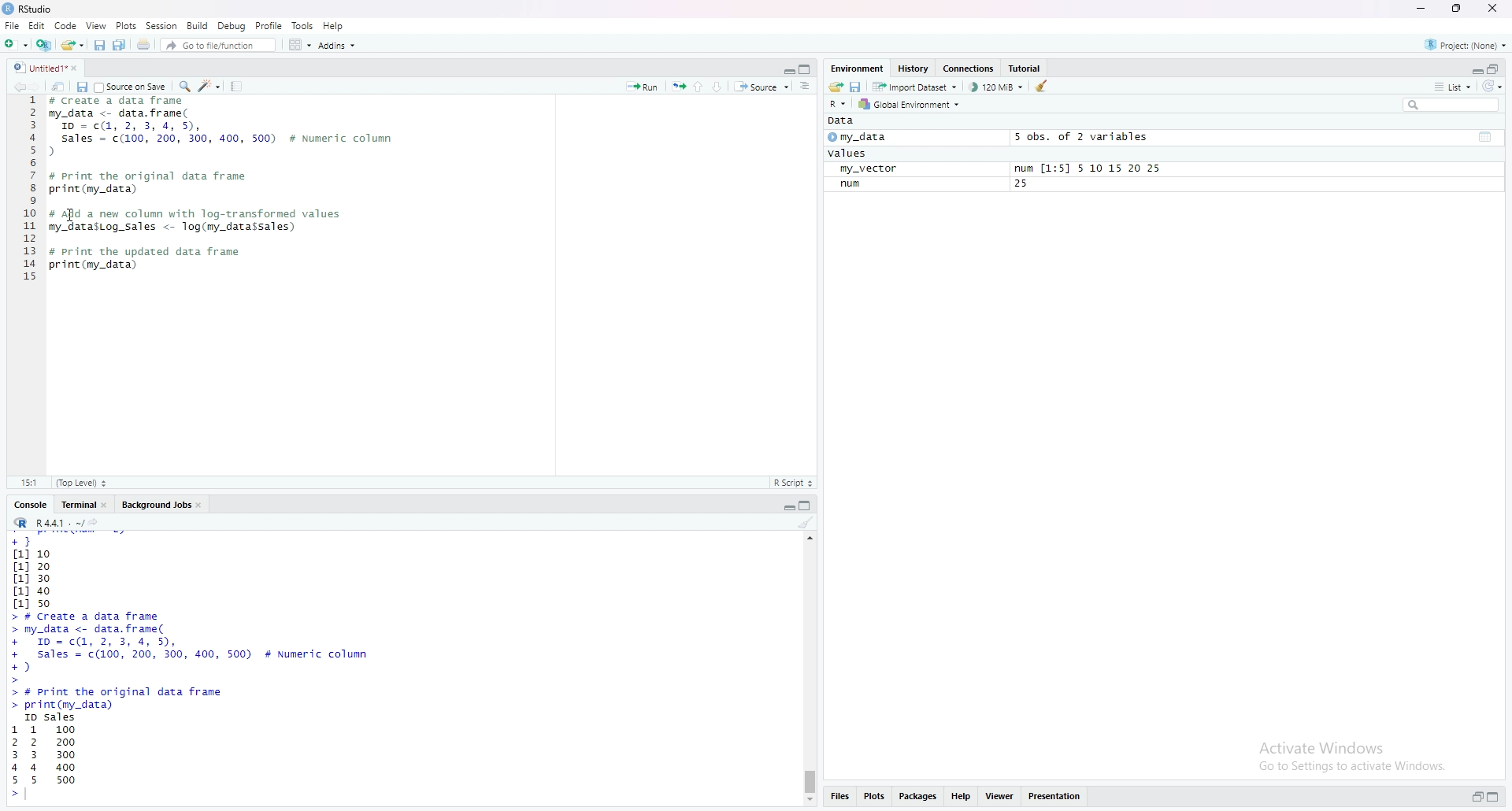 The width and height of the screenshot is (1512, 811). I want to click on search field, so click(1449, 106).